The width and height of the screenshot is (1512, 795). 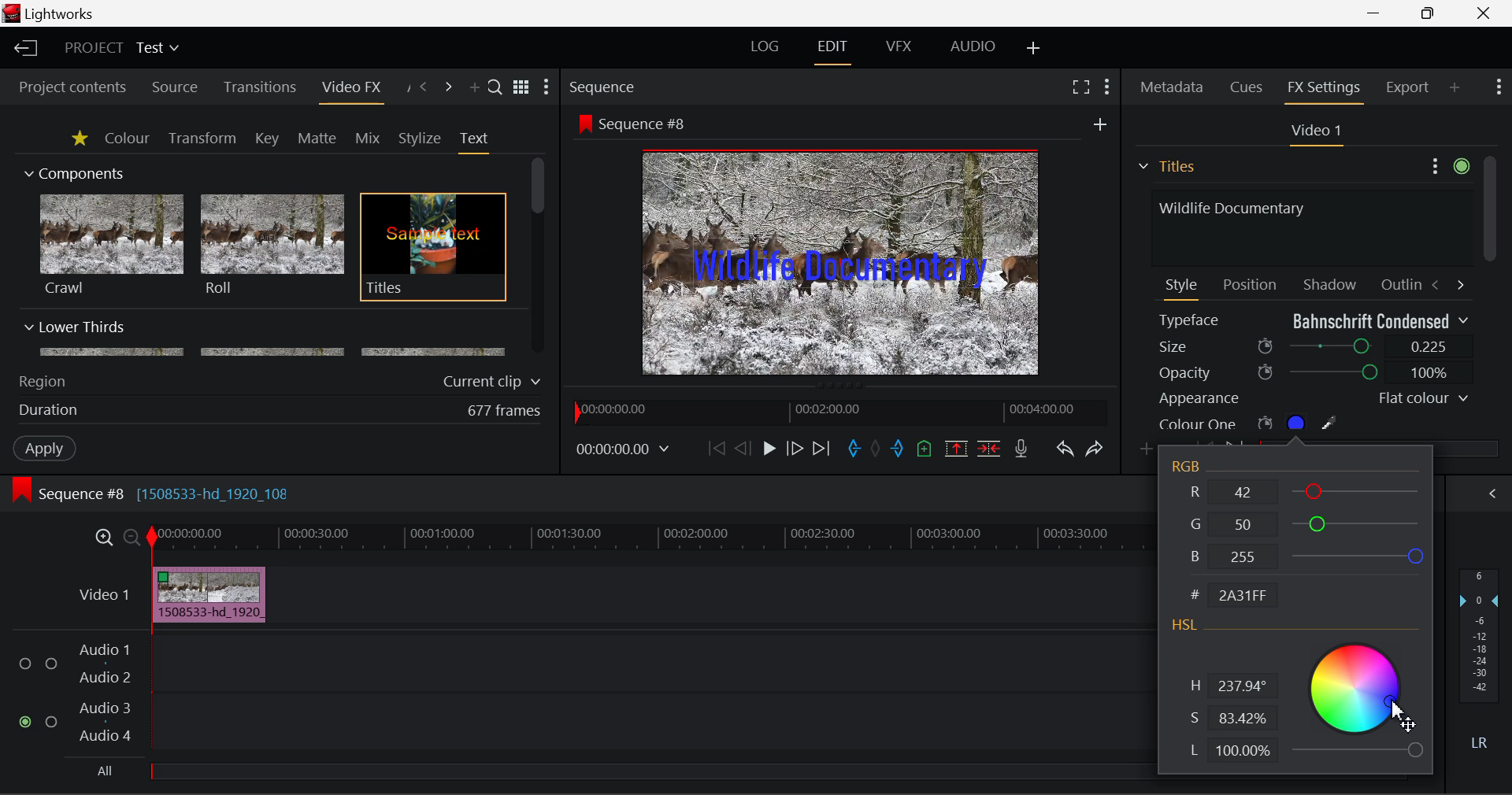 What do you see at coordinates (1489, 294) in the screenshot?
I see `Scroll Bar` at bounding box center [1489, 294].